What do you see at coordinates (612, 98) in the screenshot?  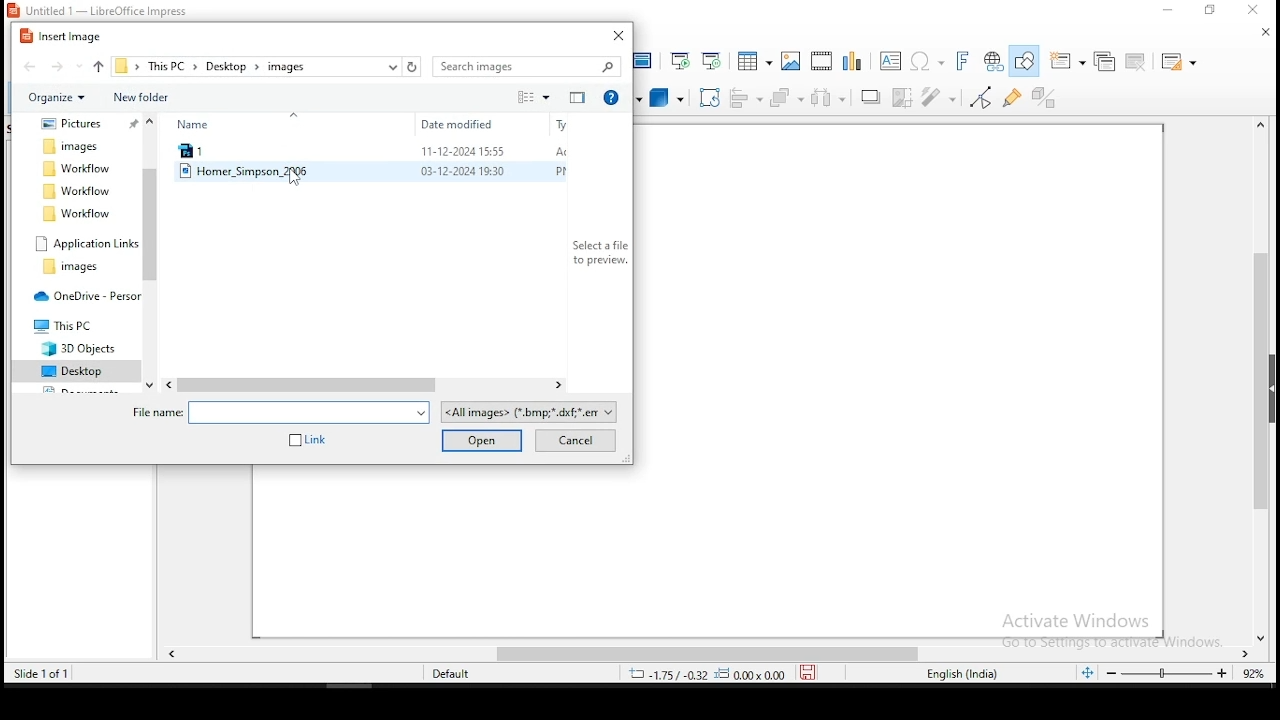 I see `info` at bounding box center [612, 98].